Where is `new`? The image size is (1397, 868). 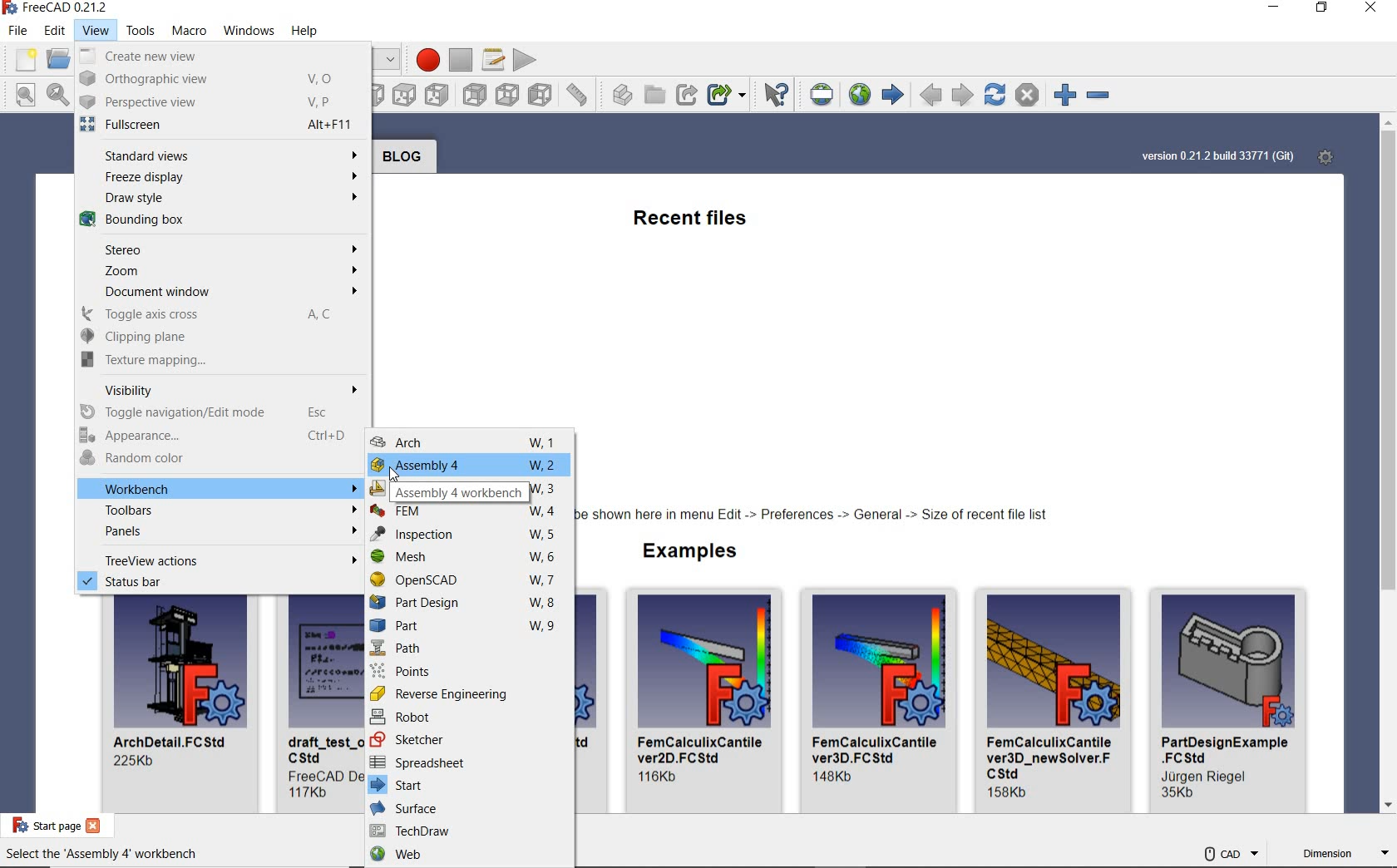
new is located at coordinates (24, 61).